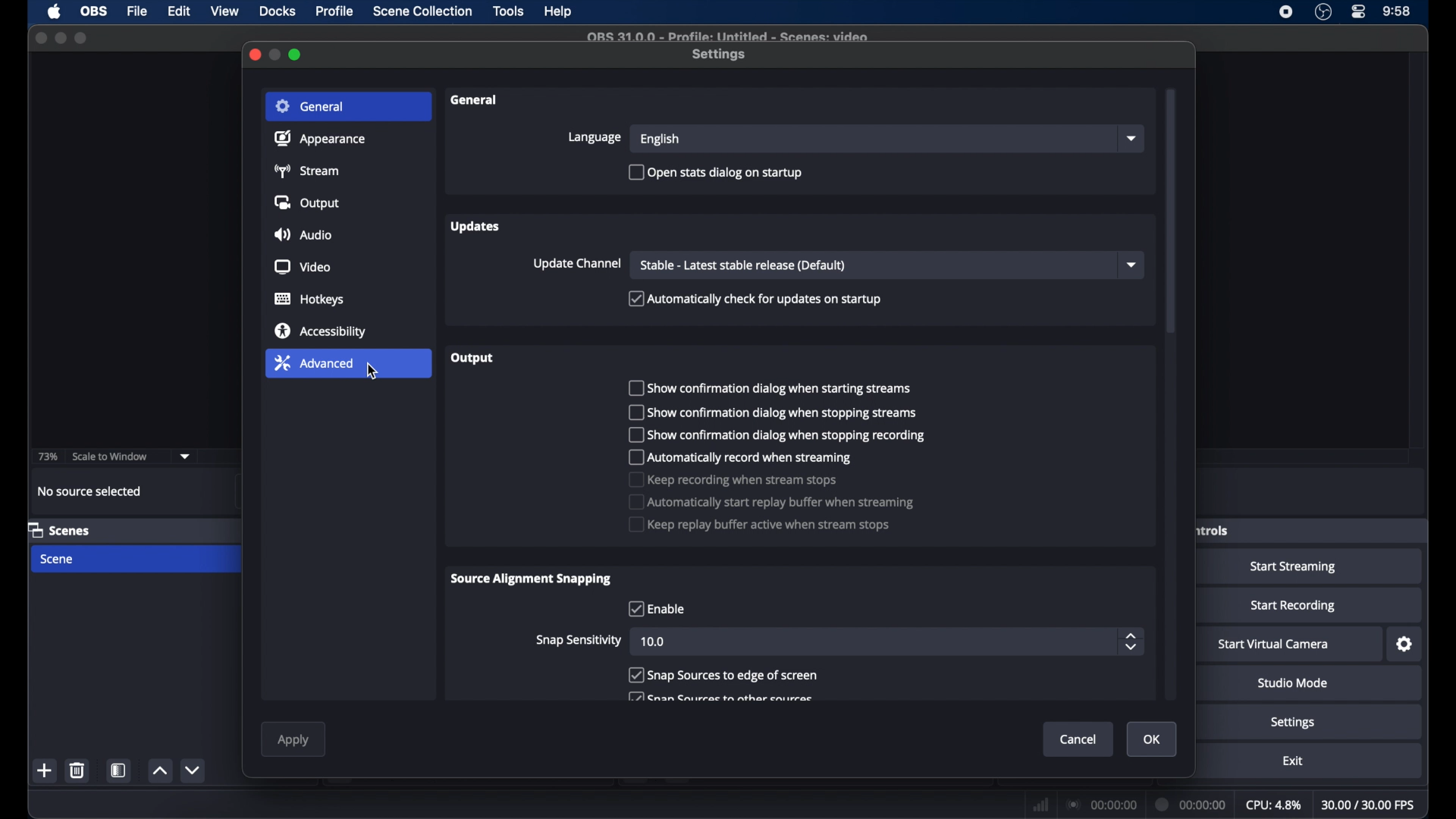  What do you see at coordinates (185, 455) in the screenshot?
I see `dropdown` at bounding box center [185, 455].